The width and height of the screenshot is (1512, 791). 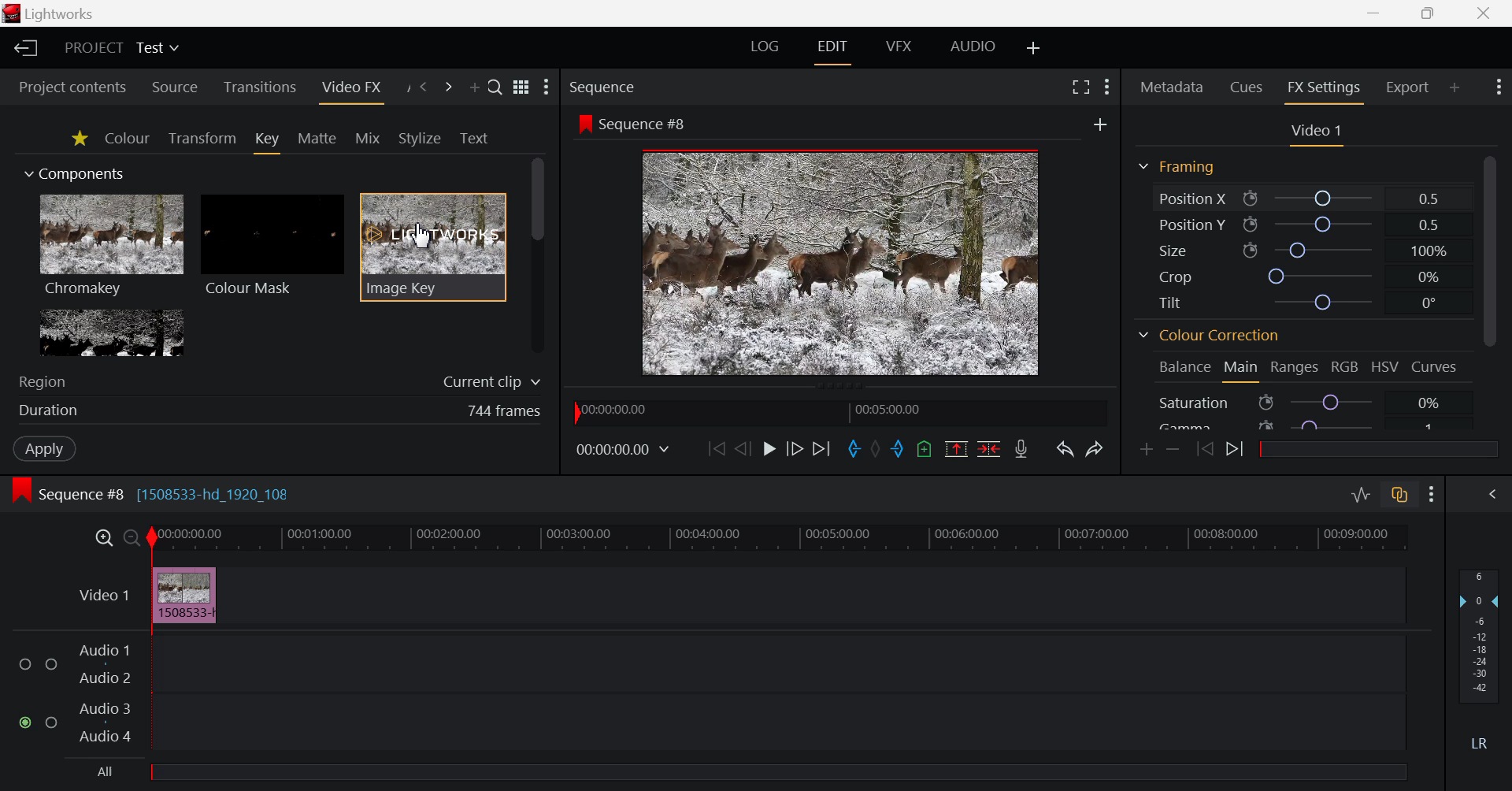 What do you see at coordinates (584, 123) in the screenshot?
I see `icon` at bounding box center [584, 123].